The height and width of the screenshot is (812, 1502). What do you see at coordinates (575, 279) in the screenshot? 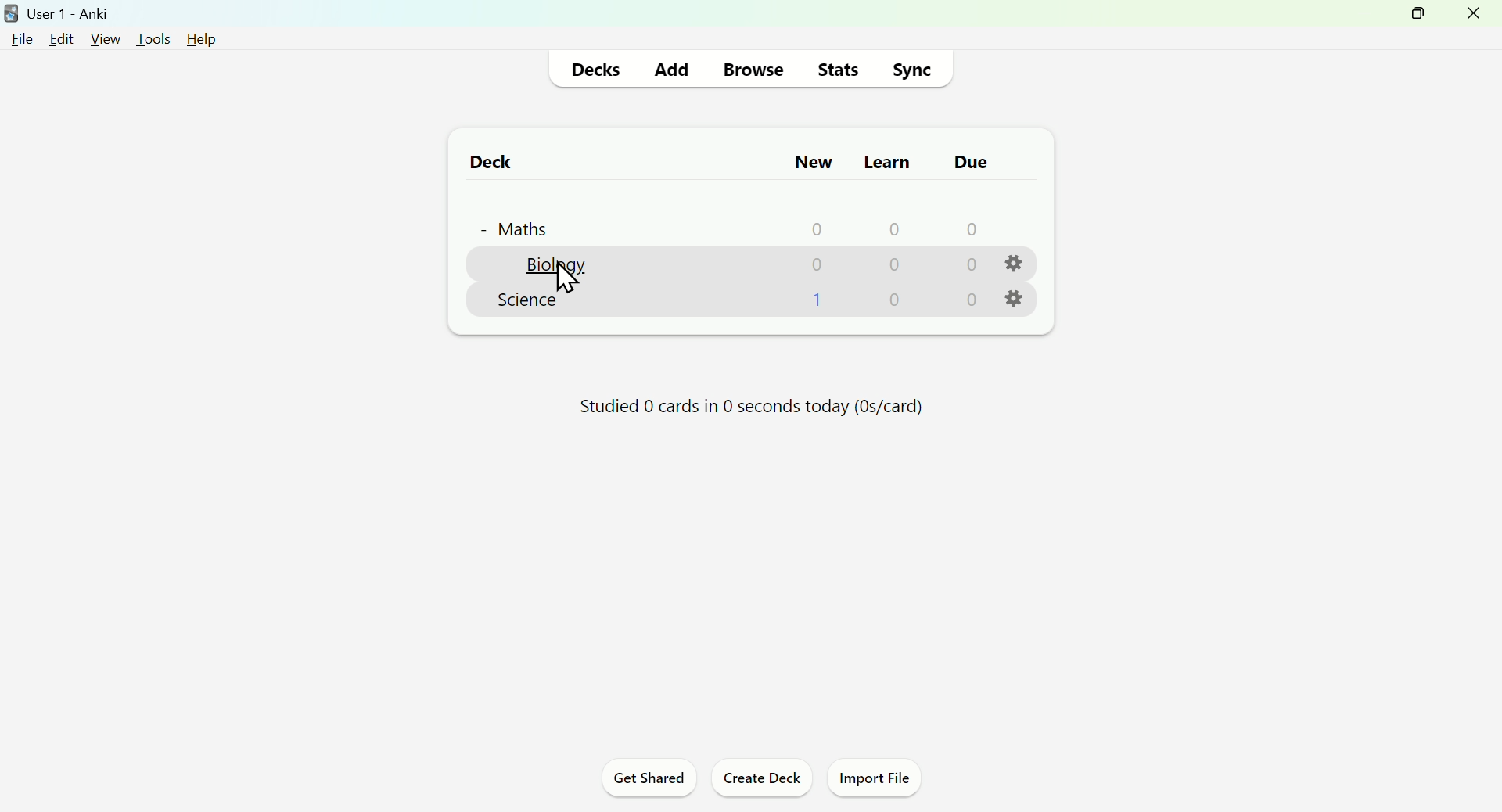
I see `Cursor` at bounding box center [575, 279].